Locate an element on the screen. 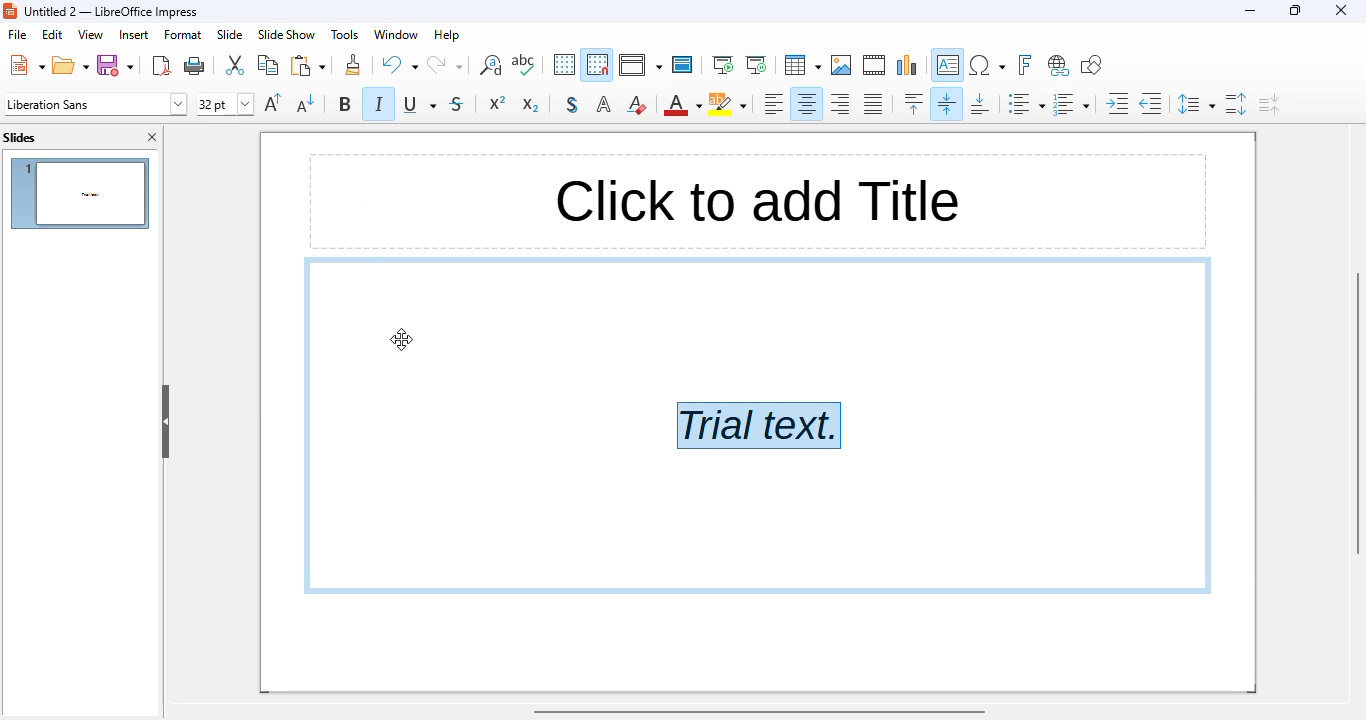 The image size is (1366, 720). cursor is located at coordinates (402, 338).